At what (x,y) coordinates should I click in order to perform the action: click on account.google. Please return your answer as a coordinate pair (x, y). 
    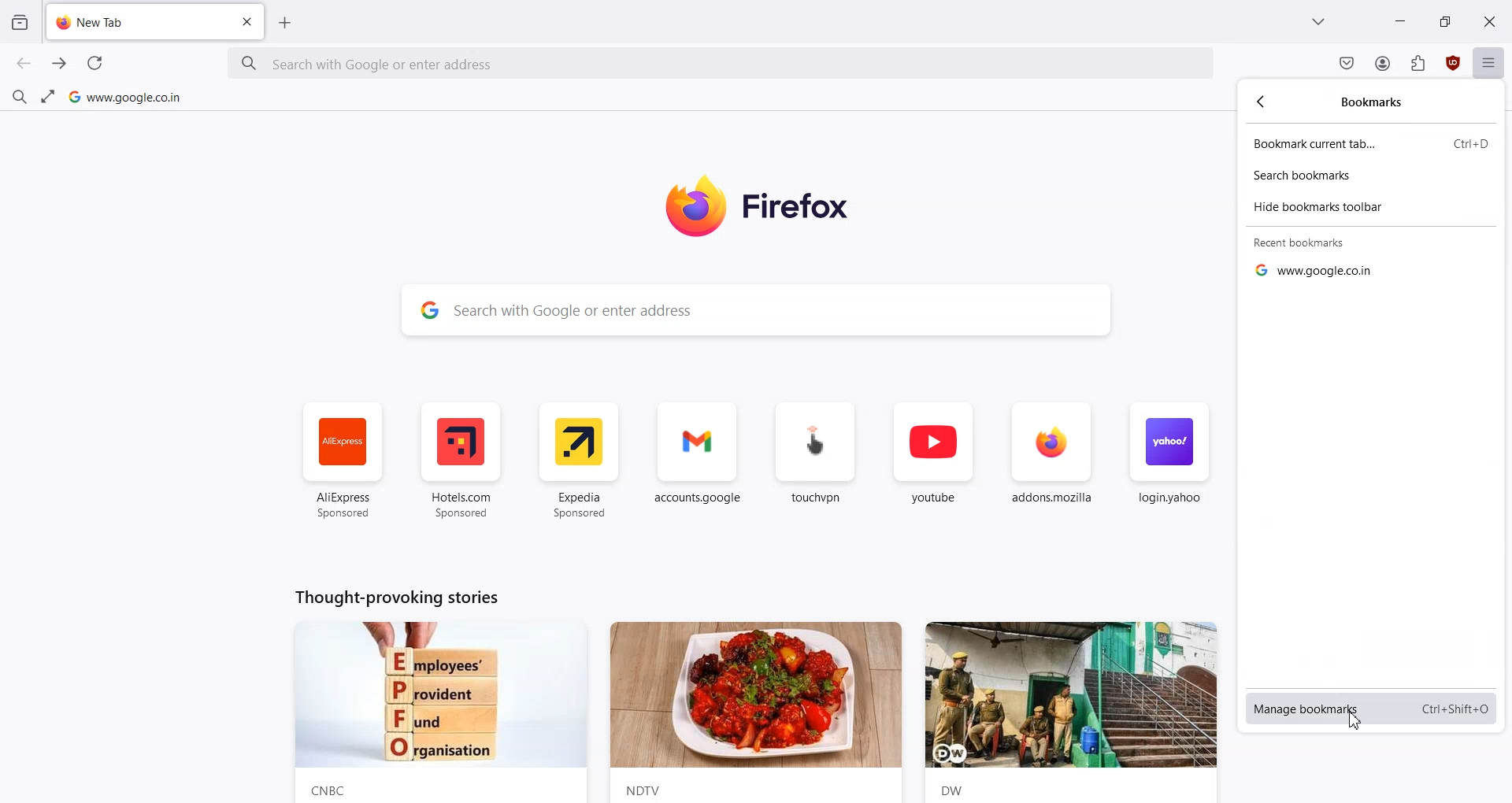
    Looking at the image, I should click on (699, 461).